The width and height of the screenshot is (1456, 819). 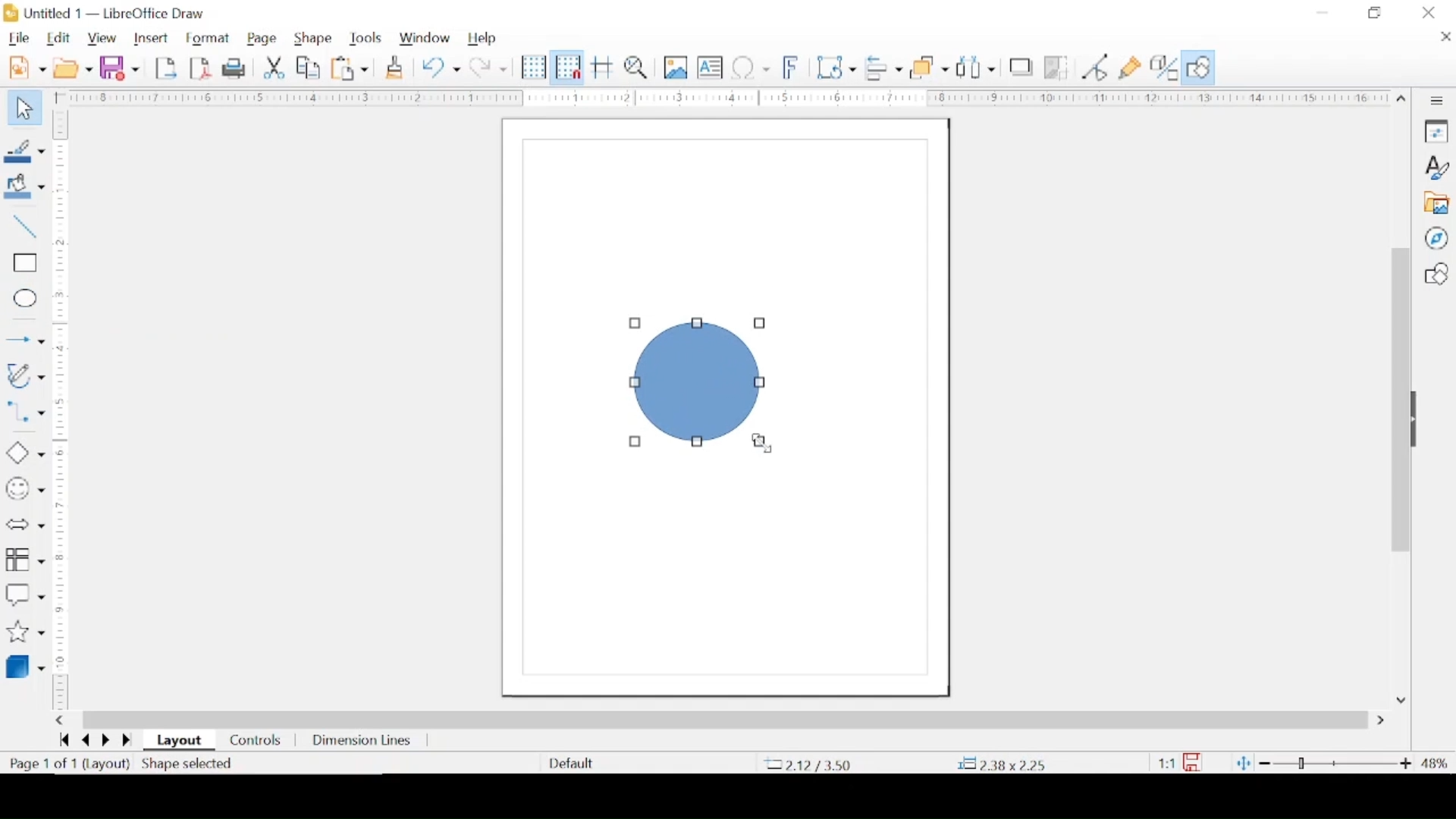 What do you see at coordinates (698, 322) in the screenshot?
I see `resize handle` at bounding box center [698, 322].